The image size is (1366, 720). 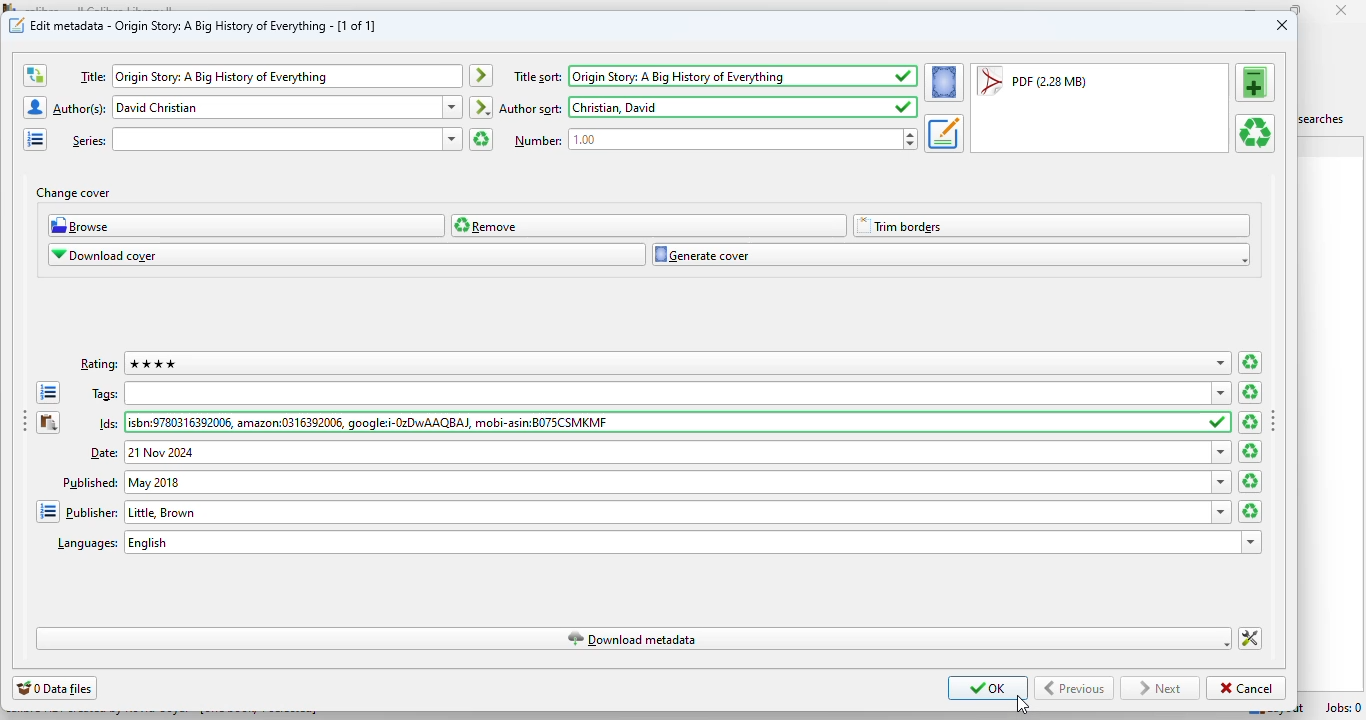 What do you see at coordinates (102, 451) in the screenshot?
I see `text` at bounding box center [102, 451].